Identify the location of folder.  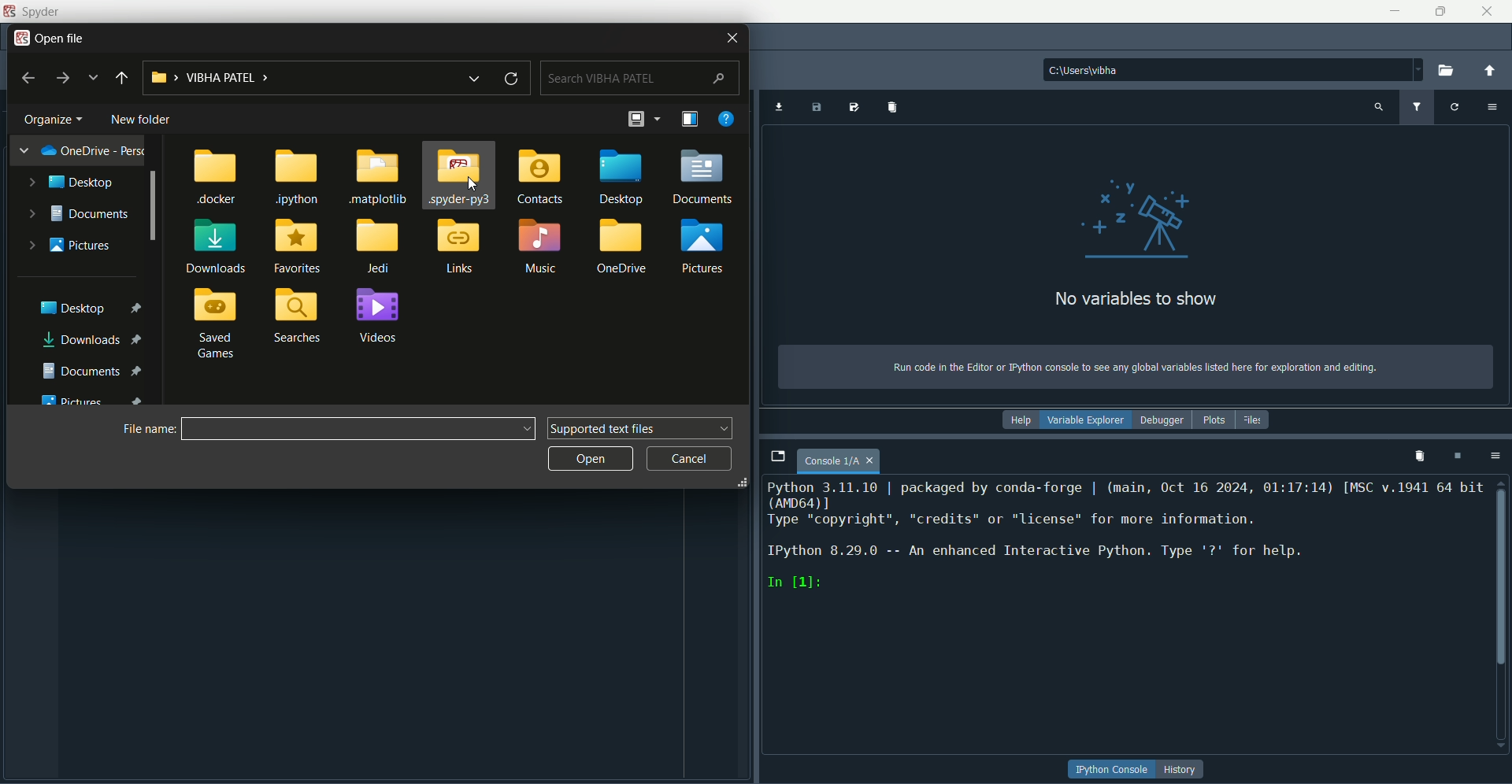
(217, 246).